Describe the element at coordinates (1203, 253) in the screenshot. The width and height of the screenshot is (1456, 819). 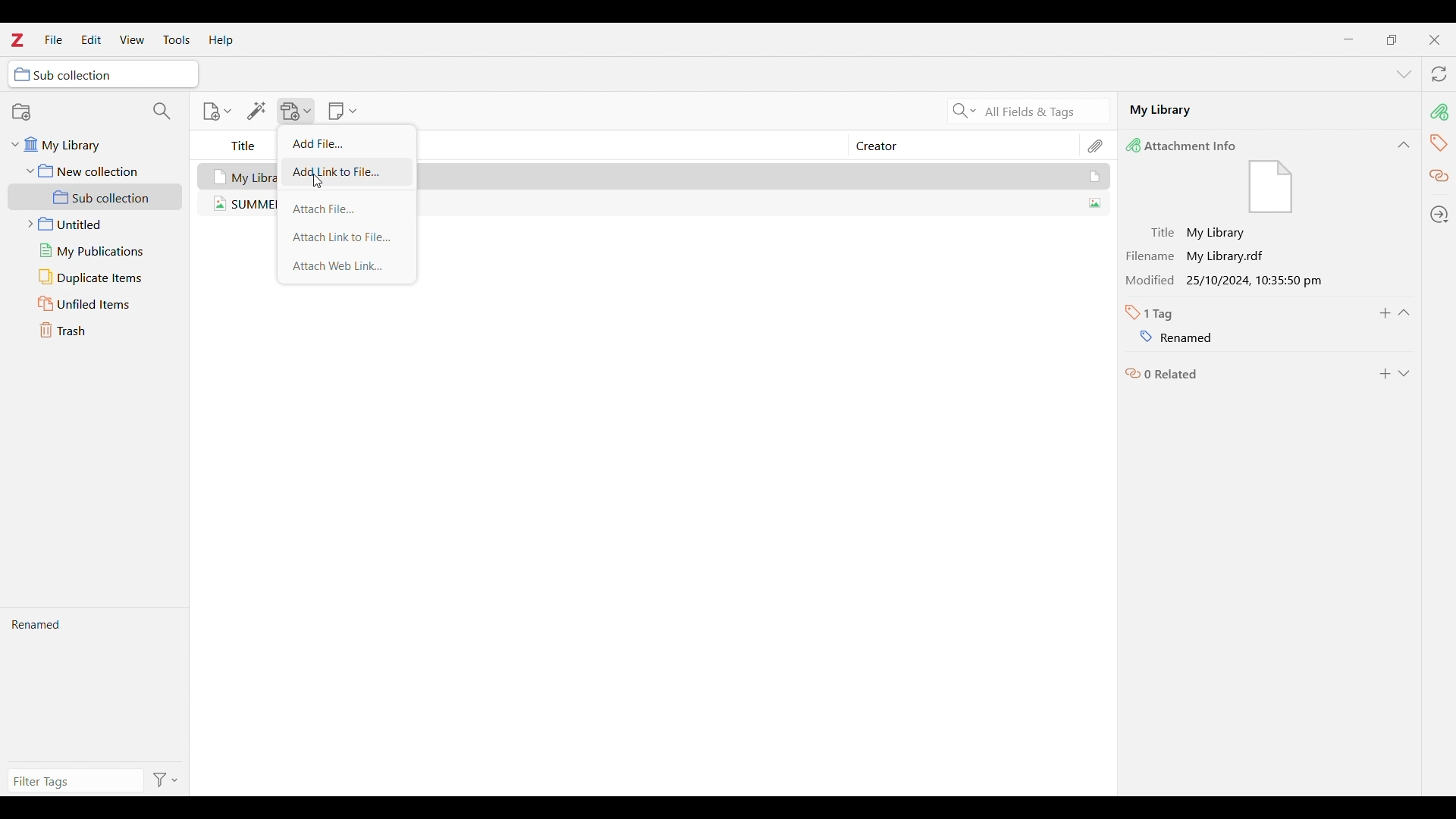
I see `Filename My Library.rdf` at that location.